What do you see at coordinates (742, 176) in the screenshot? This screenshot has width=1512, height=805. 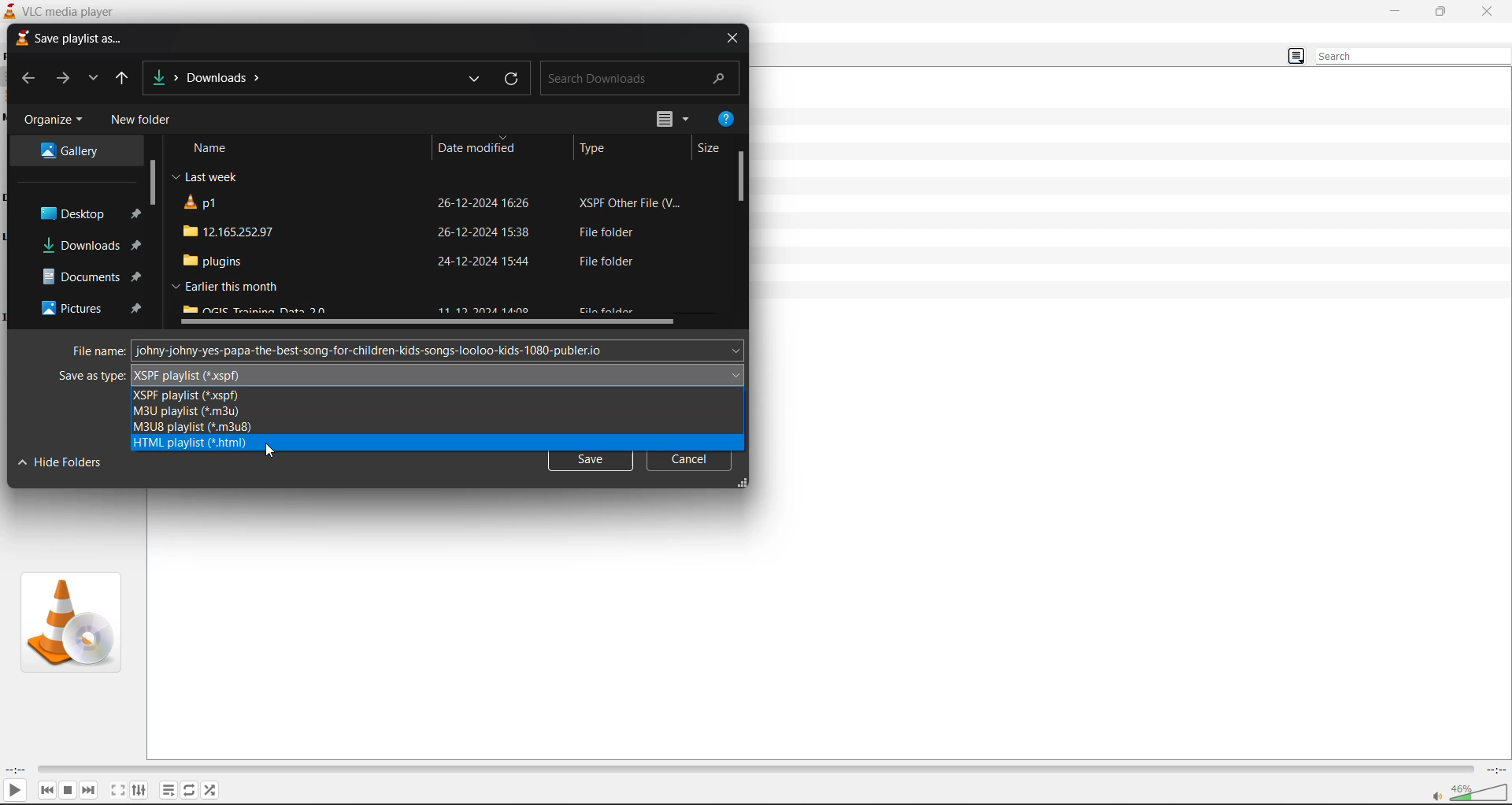 I see `vertical scroll bar` at bounding box center [742, 176].